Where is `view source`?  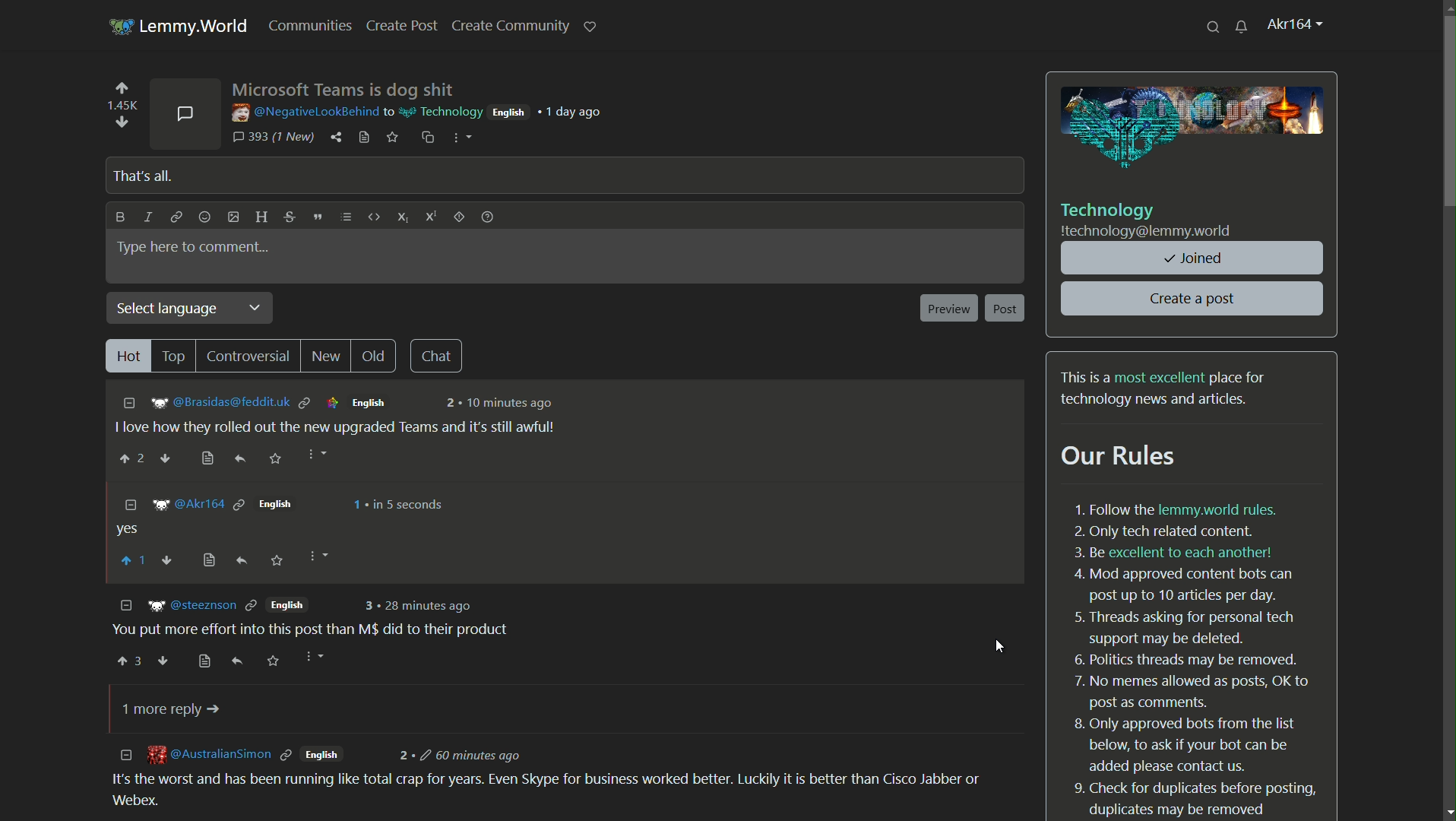 view source is located at coordinates (363, 138).